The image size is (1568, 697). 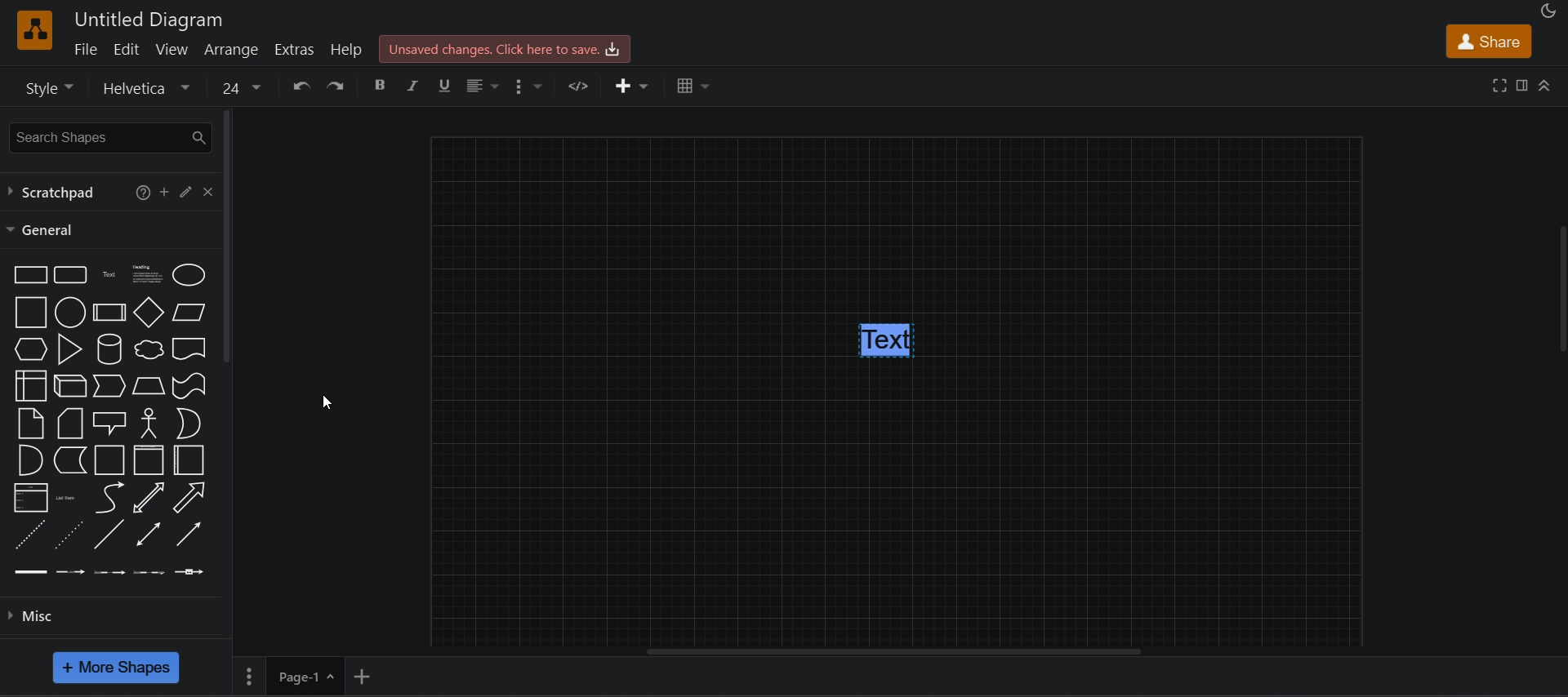 I want to click on misc, so click(x=30, y=616).